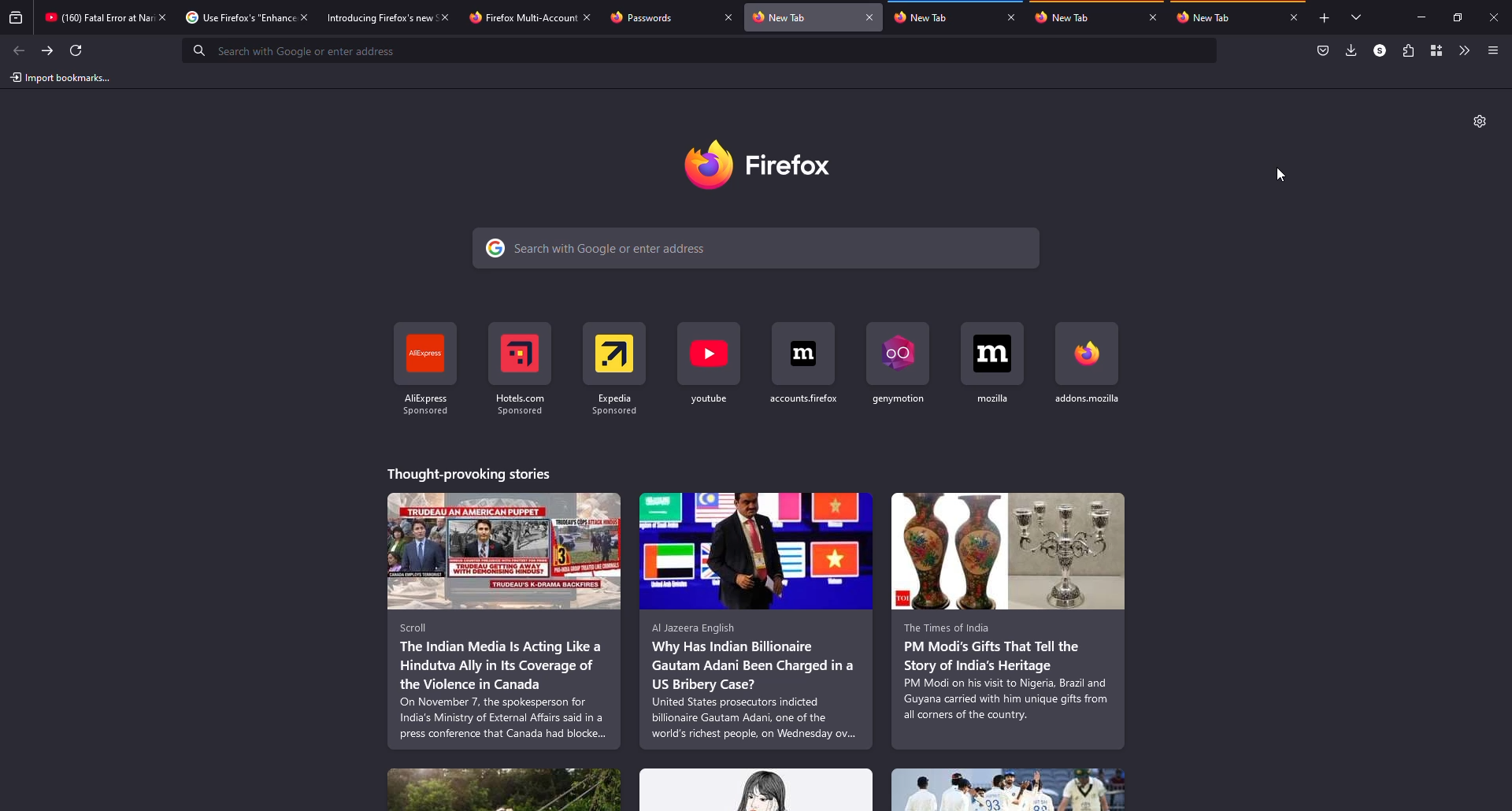 Image resolution: width=1512 pixels, height=811 pixels. What do you see at coordinates (757, 790) in the screenshot?
I see `stories` at bounding box center [757, 790].